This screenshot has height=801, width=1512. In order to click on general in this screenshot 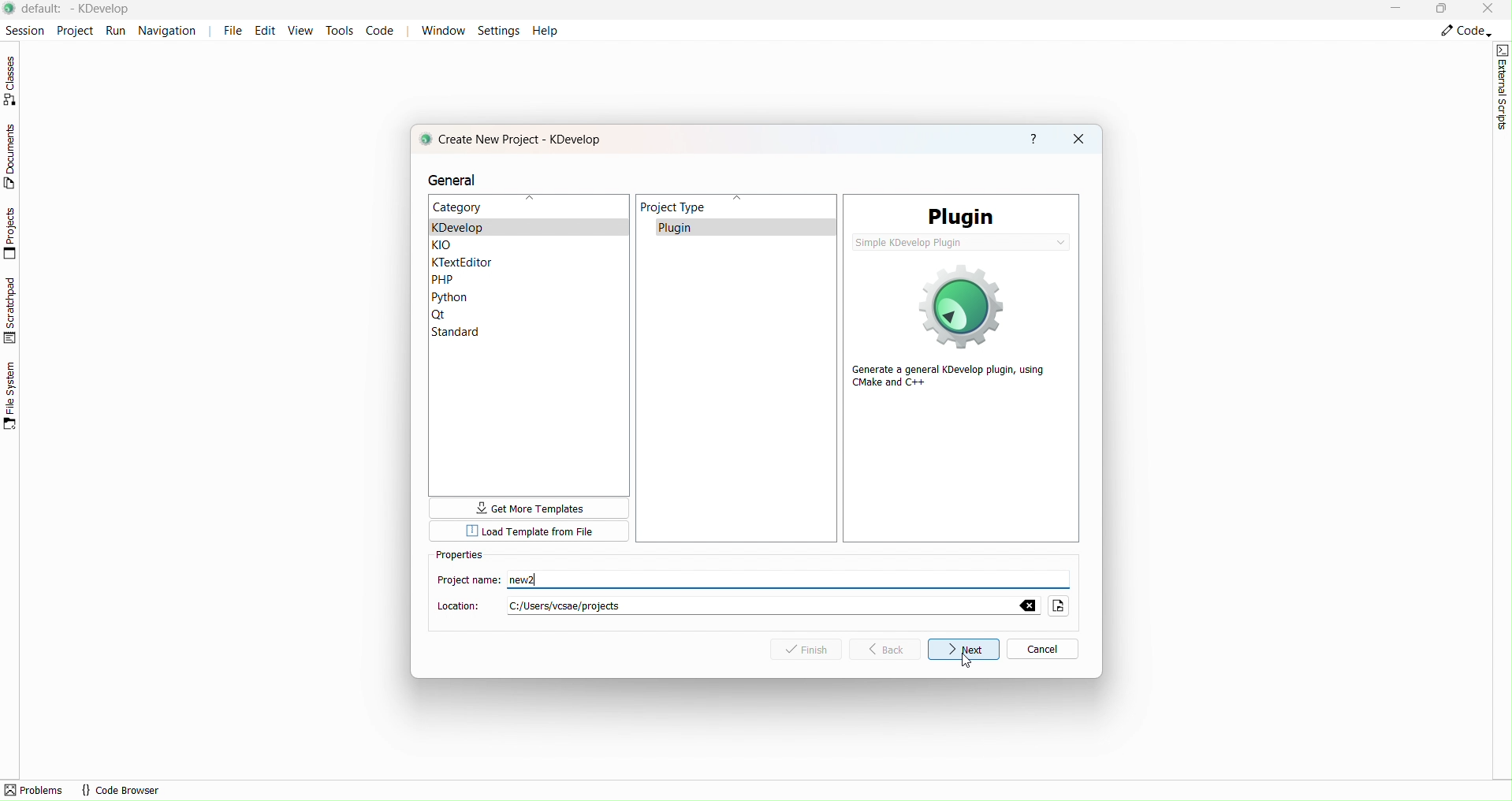, I will do `click(464, 178)`.